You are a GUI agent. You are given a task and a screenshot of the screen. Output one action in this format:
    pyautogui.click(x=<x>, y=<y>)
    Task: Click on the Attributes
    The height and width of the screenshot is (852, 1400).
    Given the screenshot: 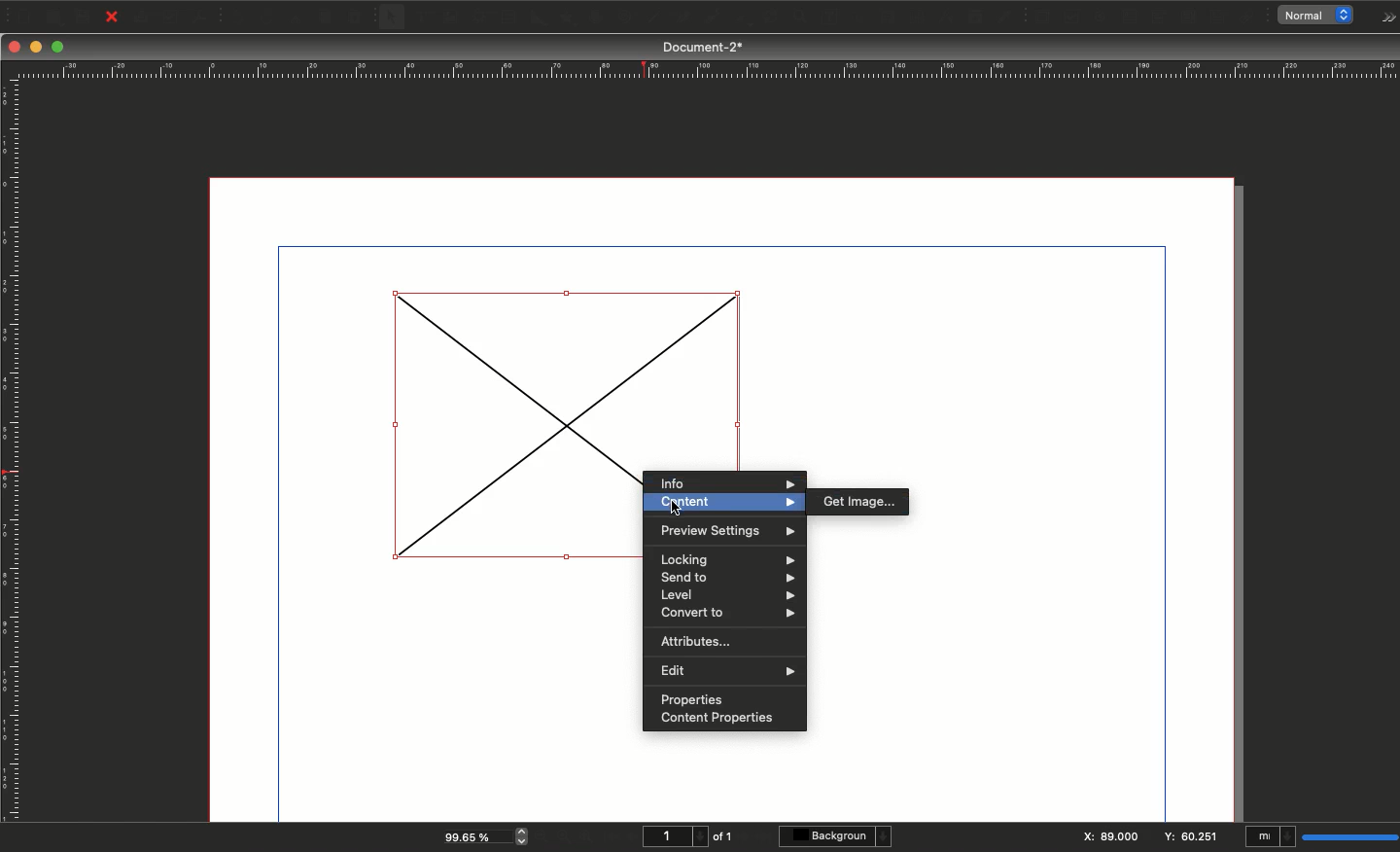 What is the action you would take?
    pyautogui.click(x=699, y=640)
    